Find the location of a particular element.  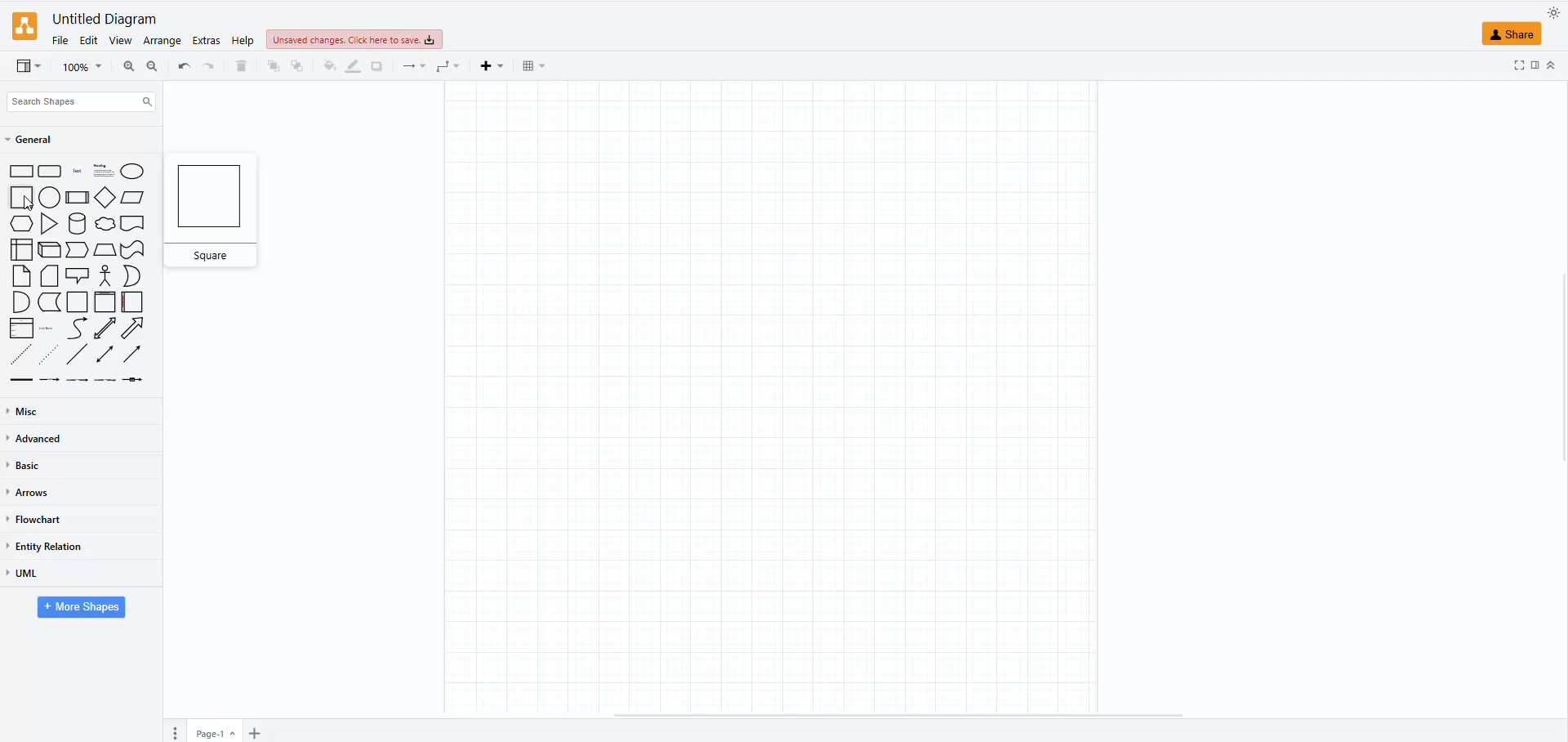

callout is located at coordinates (78, 275).